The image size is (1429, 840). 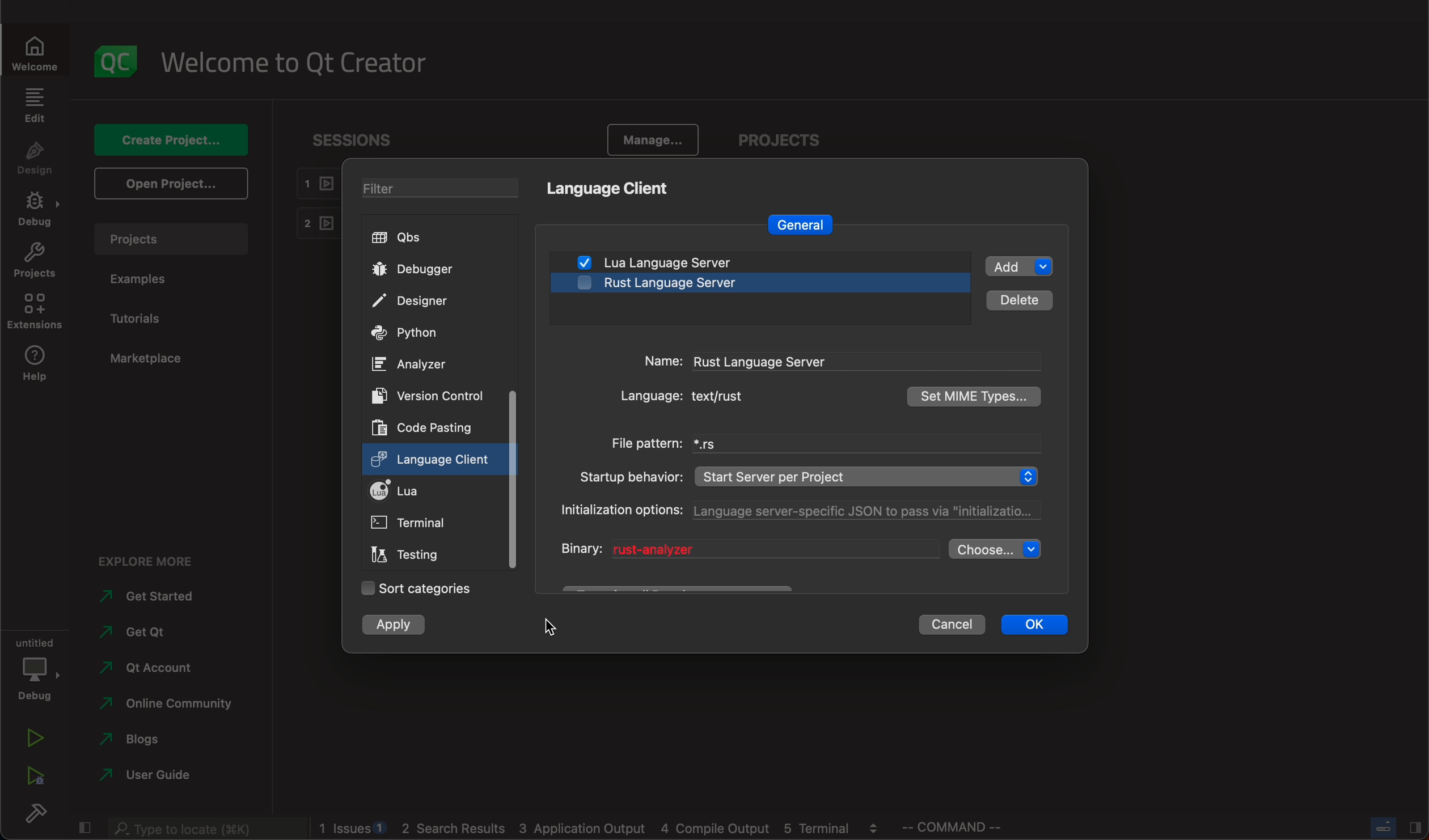 I want to click on ANALYZER, so click(x=418, y=364).